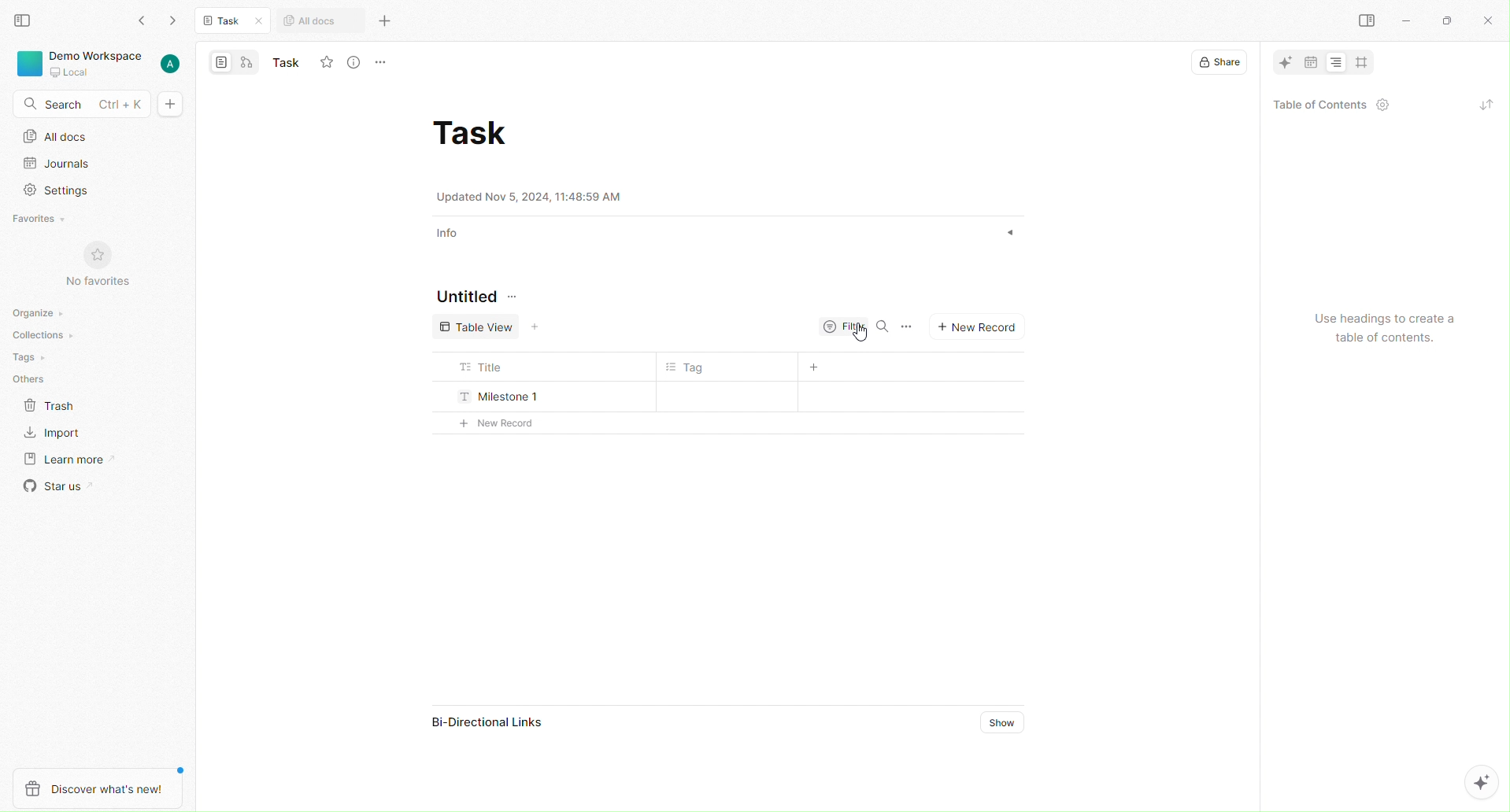  I want to click on Info, so click(450, 232).